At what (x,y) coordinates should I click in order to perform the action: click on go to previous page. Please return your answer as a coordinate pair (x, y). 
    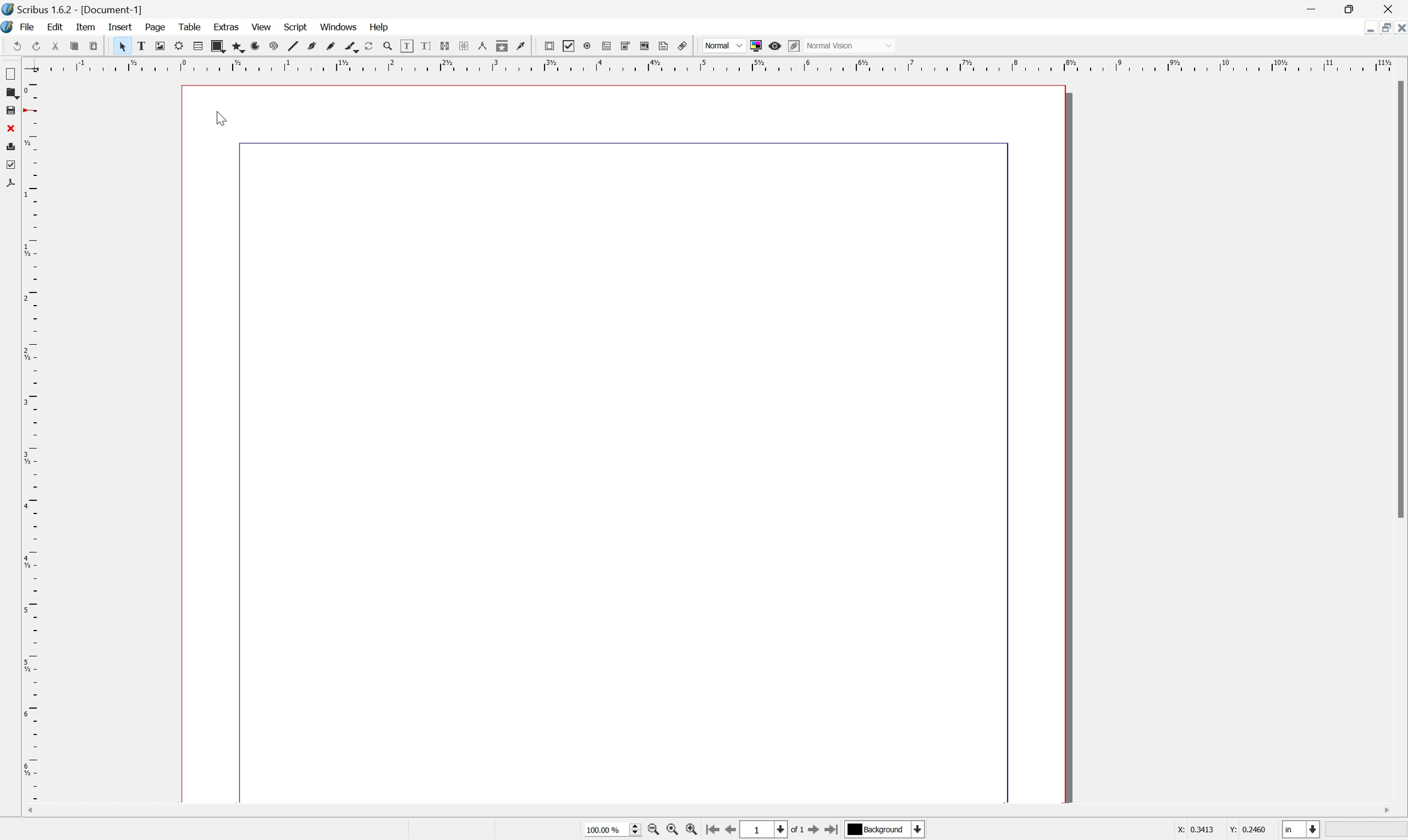
    Looking at the image, I should click on (728, 831).